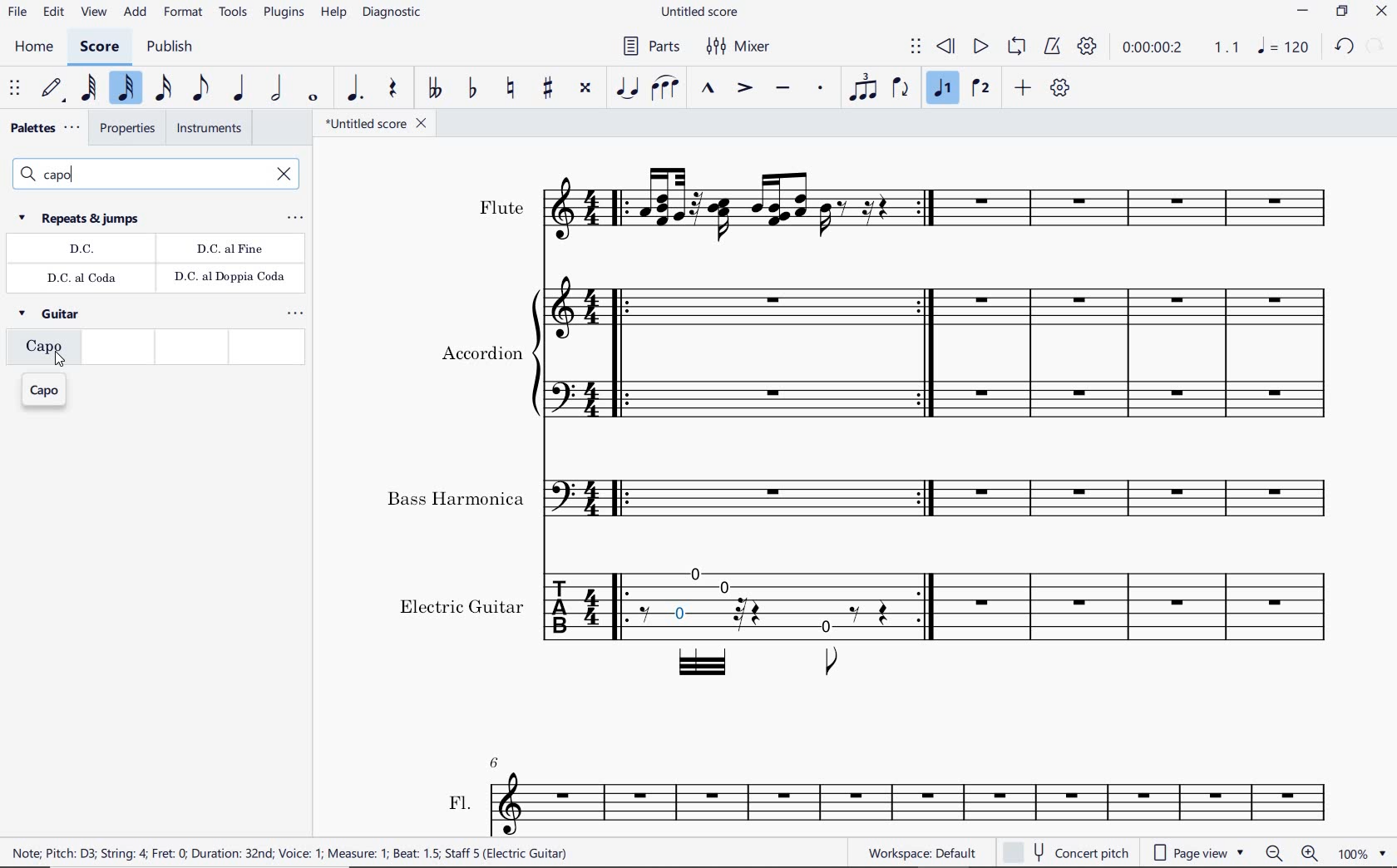 The image size is (1397, 868). What do you see at coordinates (550, 88) in the screenshot?
I see `toggle sharp` at bounding box center [550, 88].